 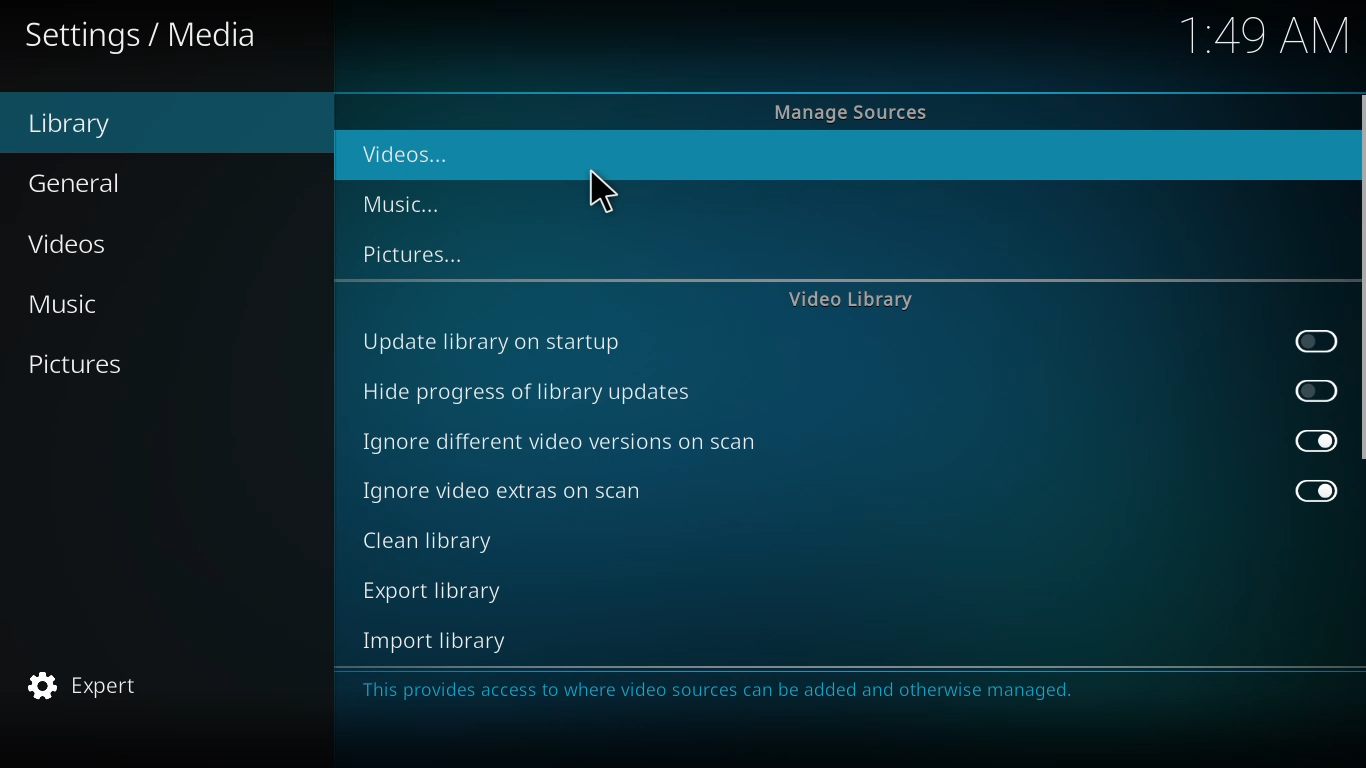 I want to click on library, so click(x=79, y=125).